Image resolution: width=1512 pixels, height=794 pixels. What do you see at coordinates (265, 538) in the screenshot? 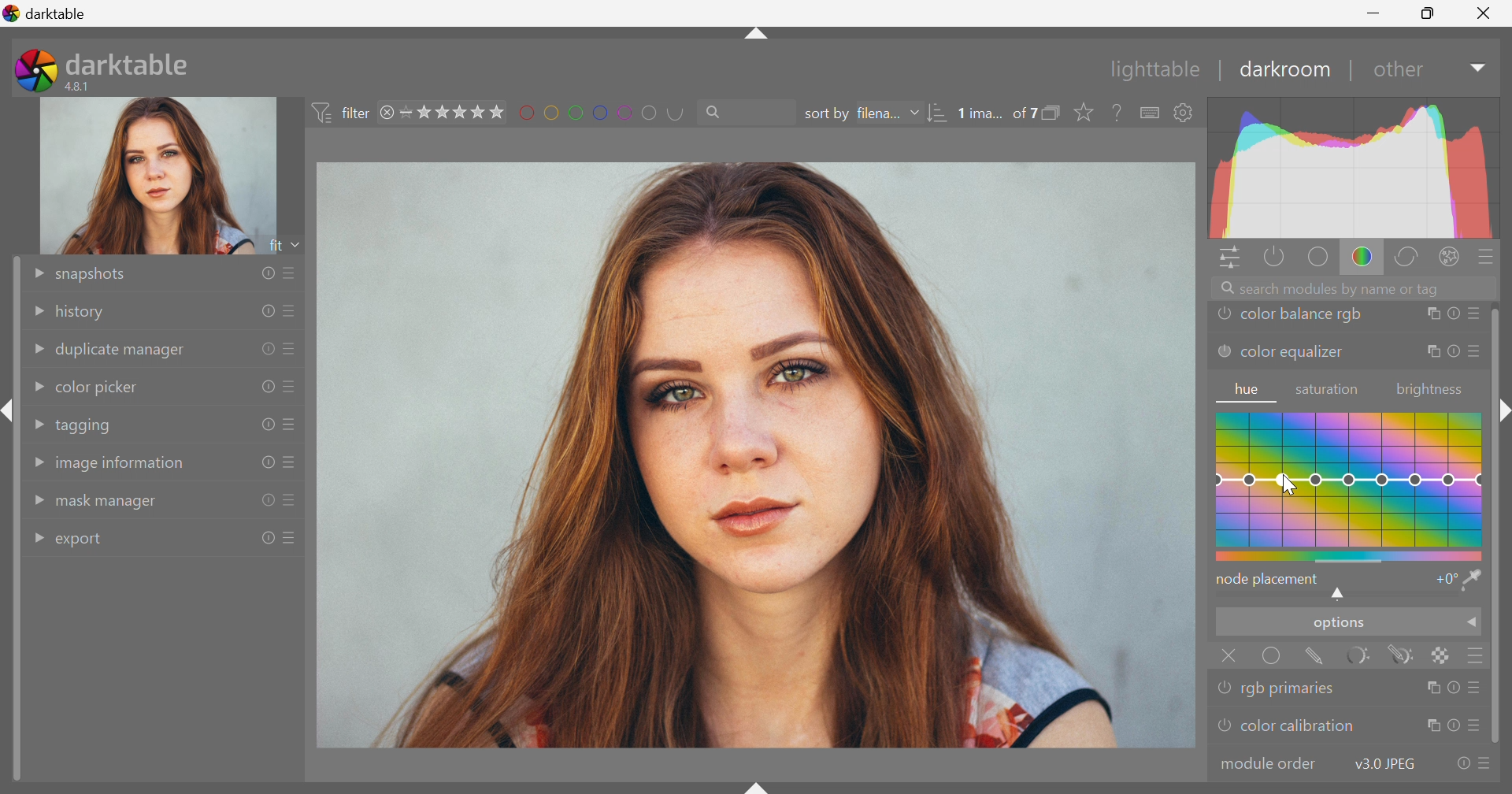
I see `reset` at bounding box center [265, 538].